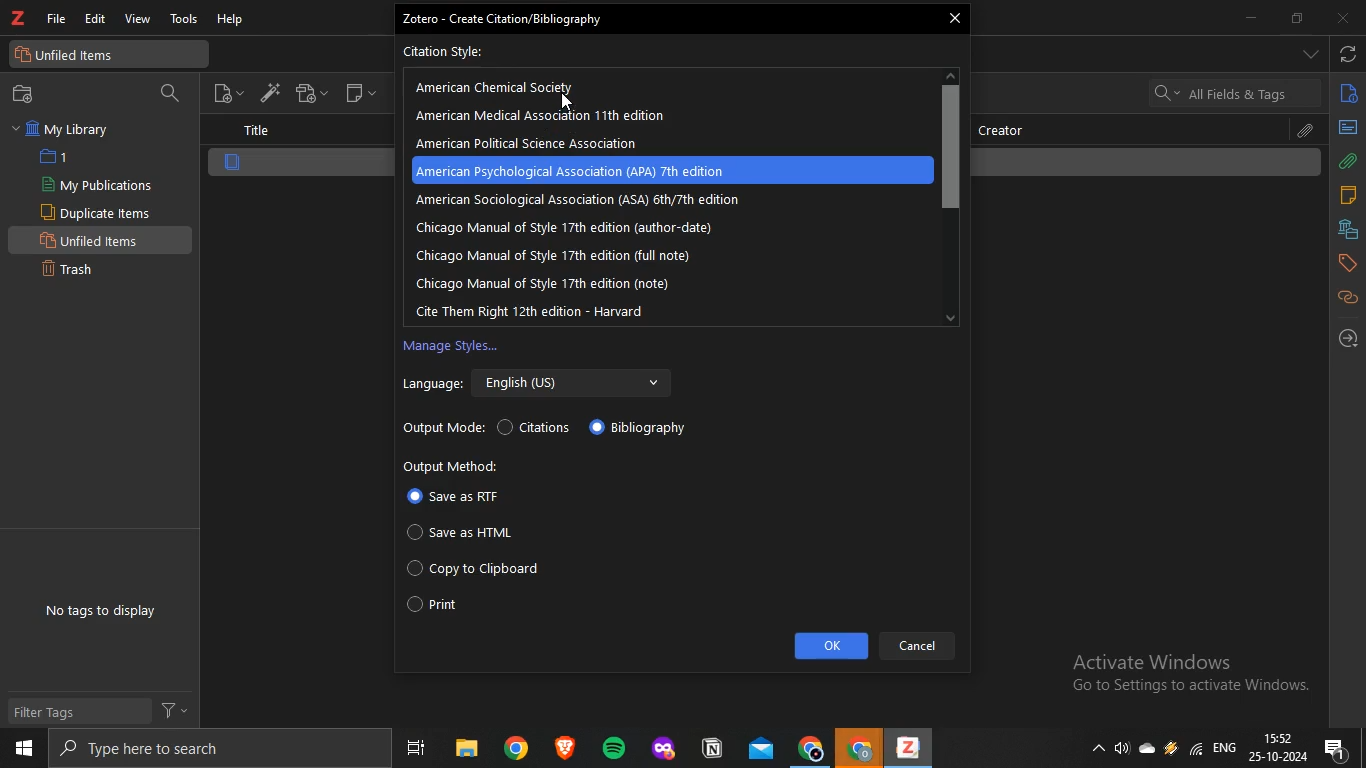 Image resolution: width=1366 pixels, height=768 pixels. Describe the element at coordinates (1150, 746) in the screenshot. I see `cloud` at that location.